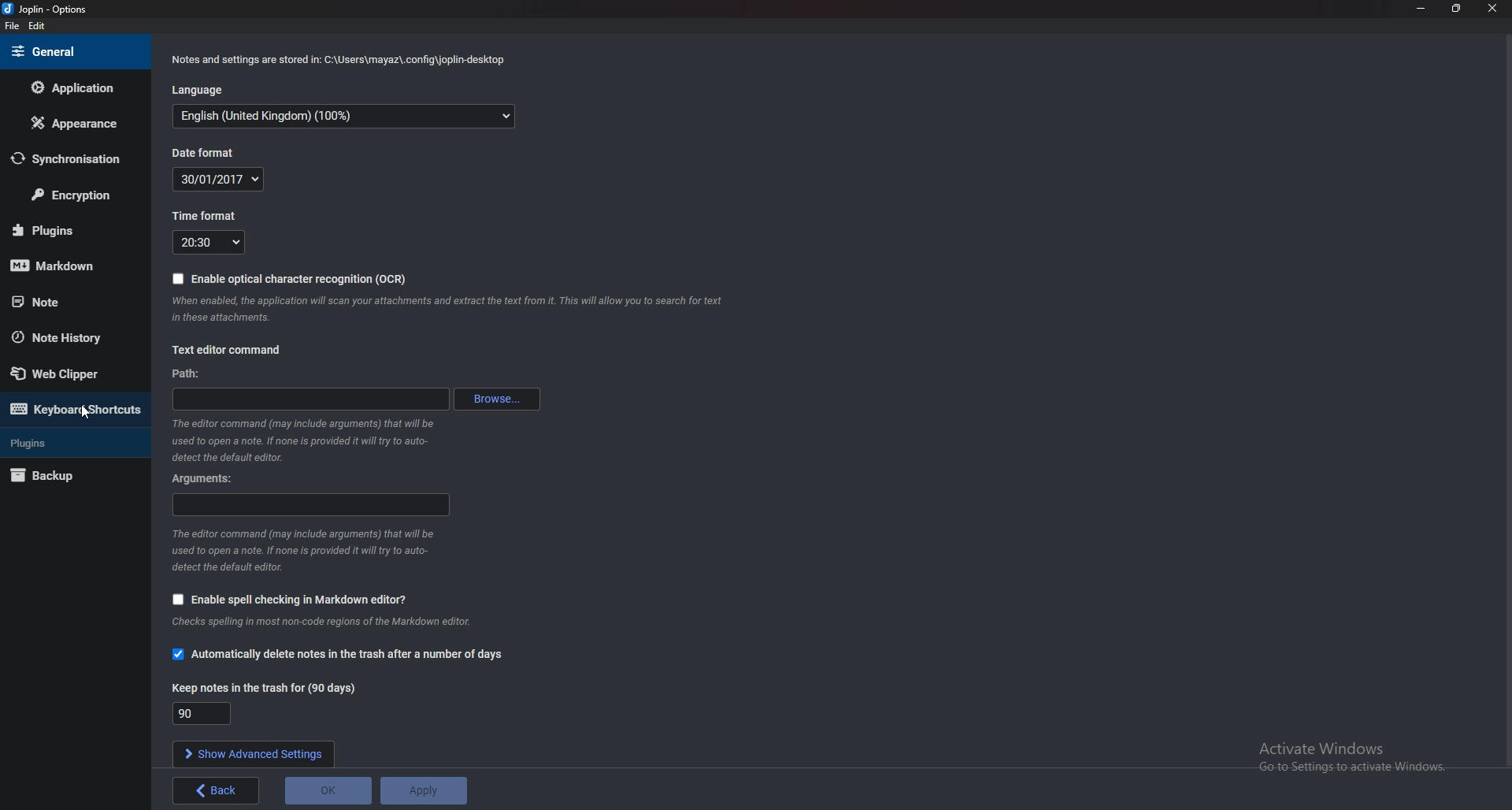 The image size is (1512, 810). I want to click on close, so click(1491, 8).